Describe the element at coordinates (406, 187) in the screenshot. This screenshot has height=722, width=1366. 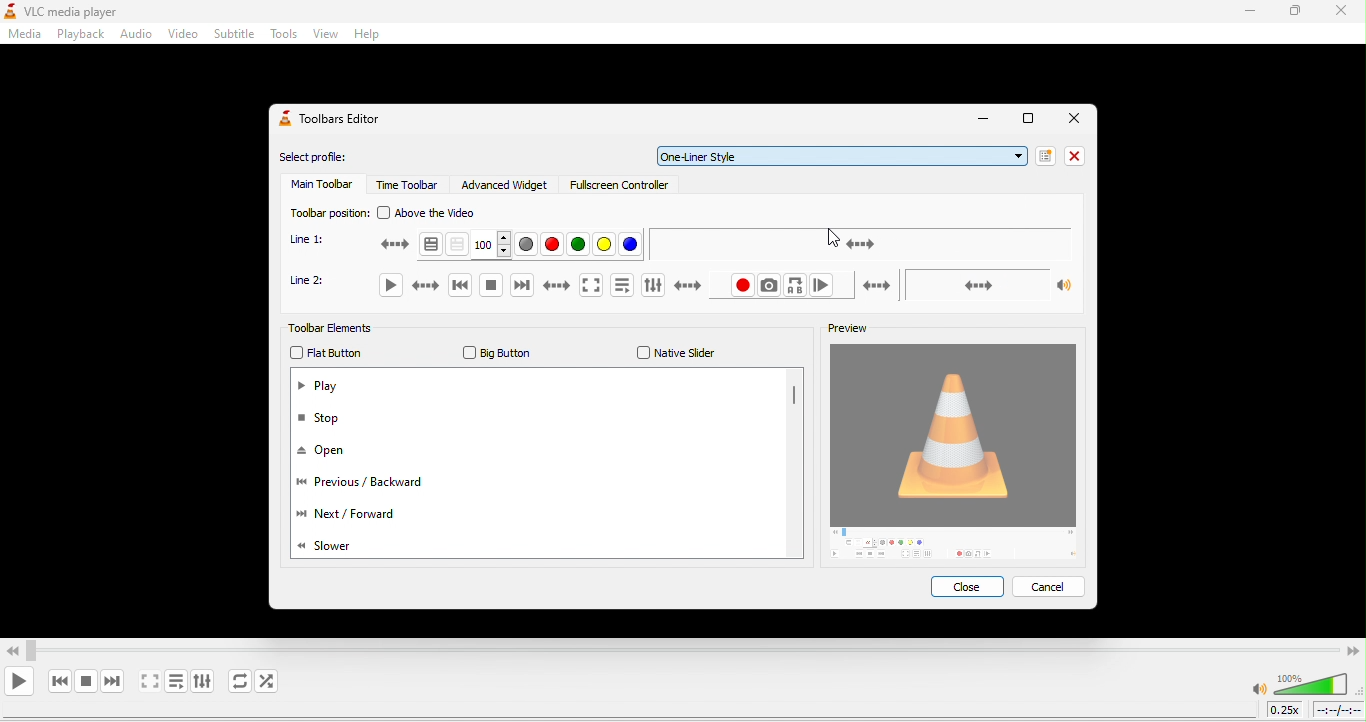
I see `time toolbar` at that location.